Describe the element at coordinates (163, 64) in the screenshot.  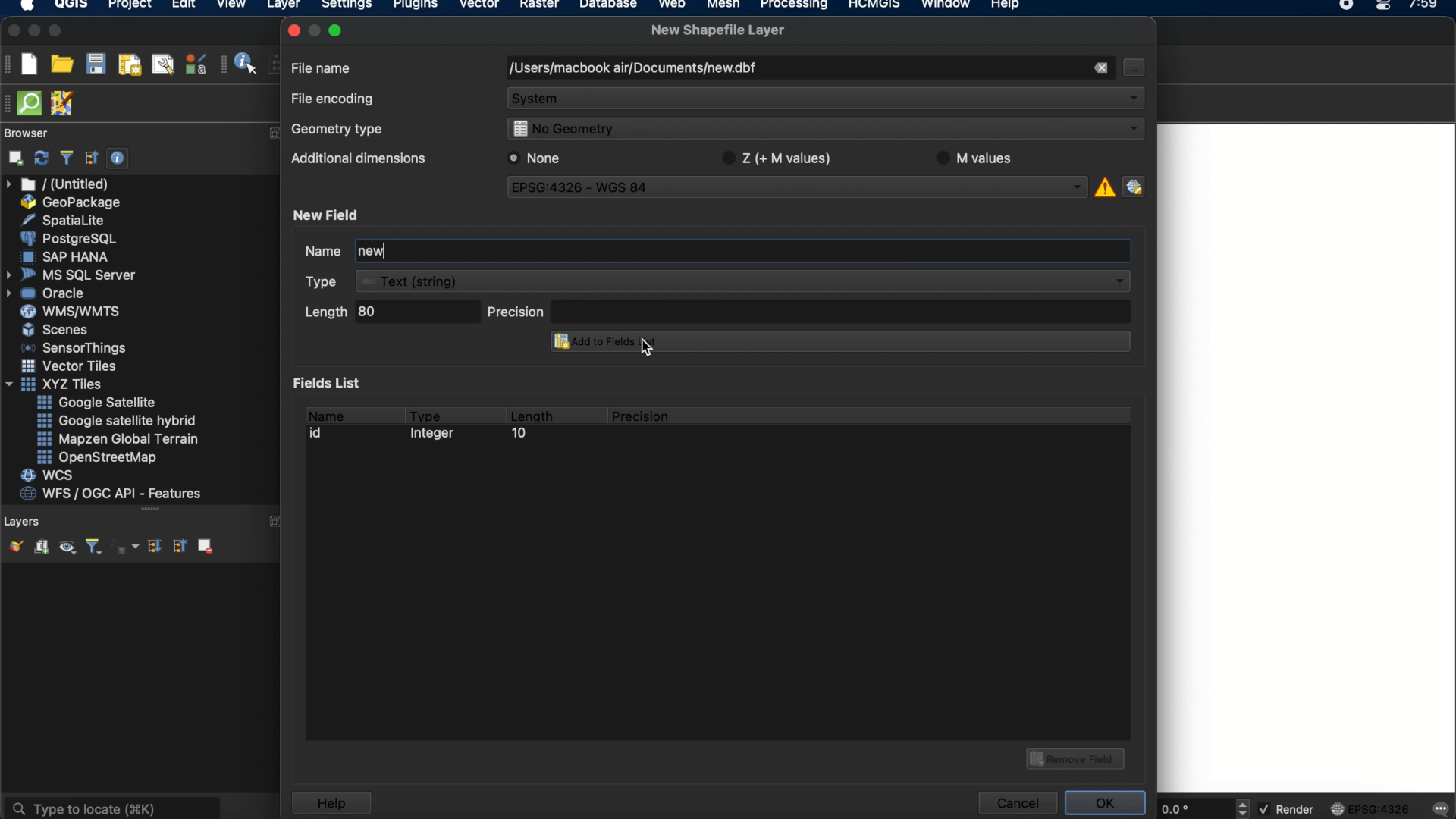
I see `show layout` at that location.